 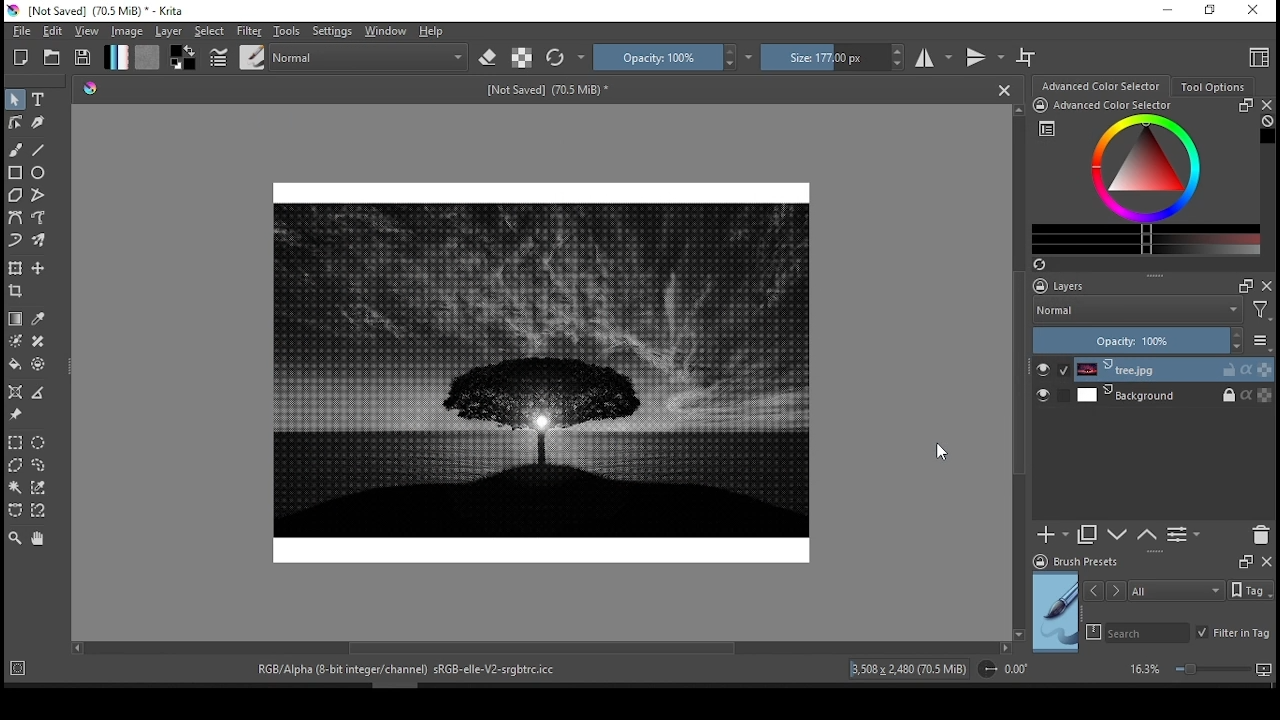 What do you see at coordinates (128, 32) in the screenshot?
I see `image` at bounding box center [128, 32].